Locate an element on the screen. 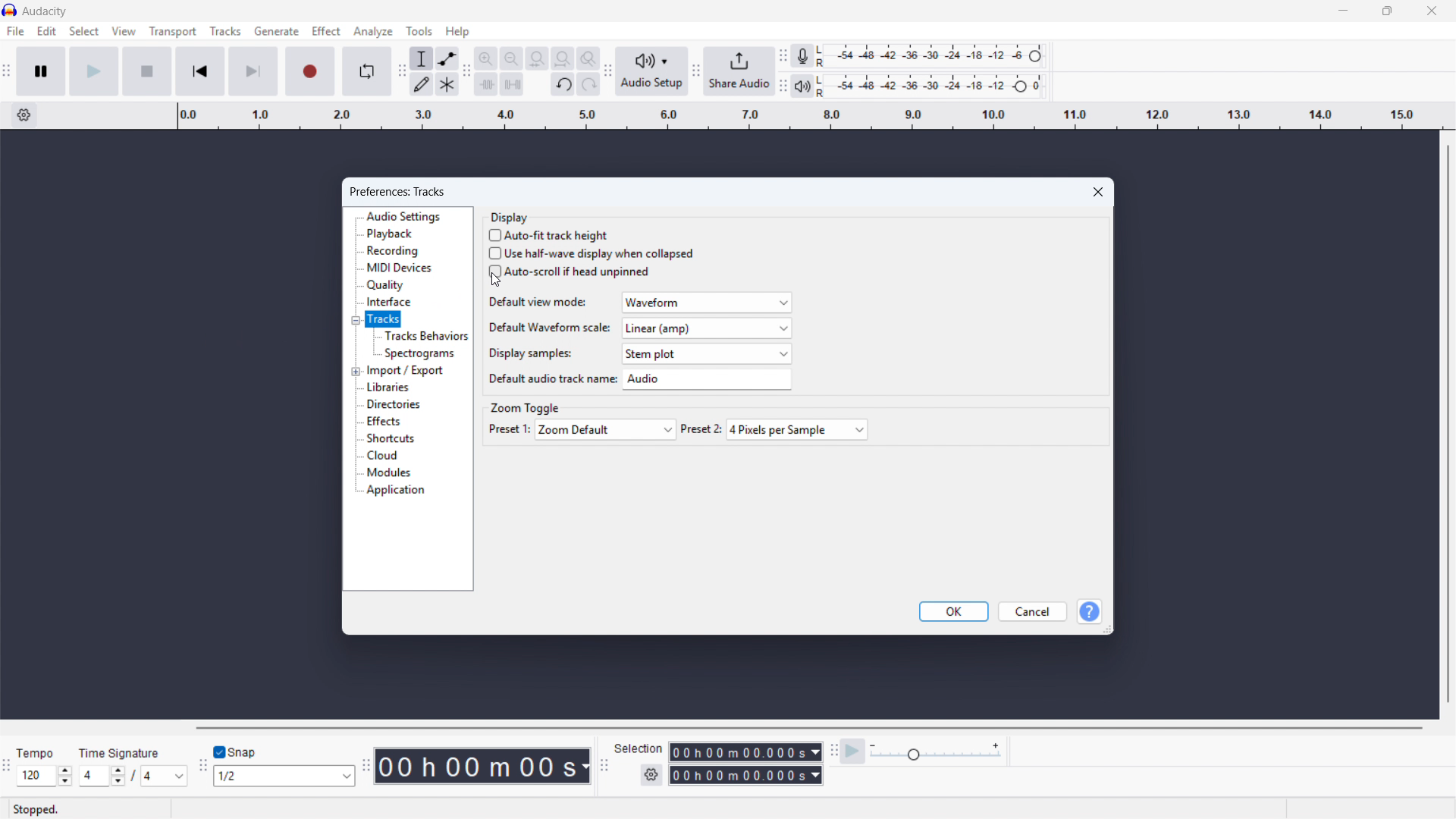  play at speed toolbar is located at coordinates (833, 752).